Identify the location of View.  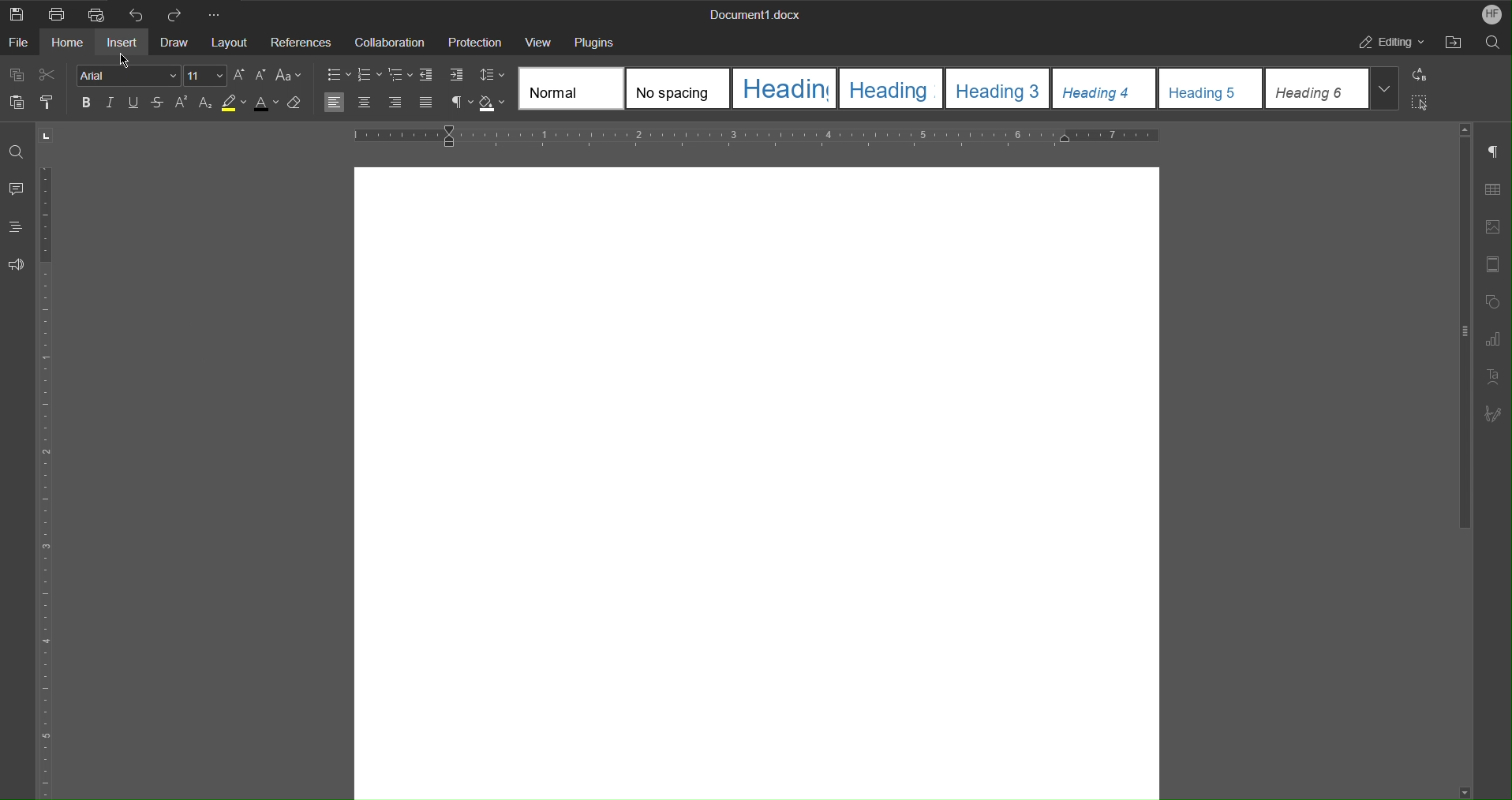
(541, 40).